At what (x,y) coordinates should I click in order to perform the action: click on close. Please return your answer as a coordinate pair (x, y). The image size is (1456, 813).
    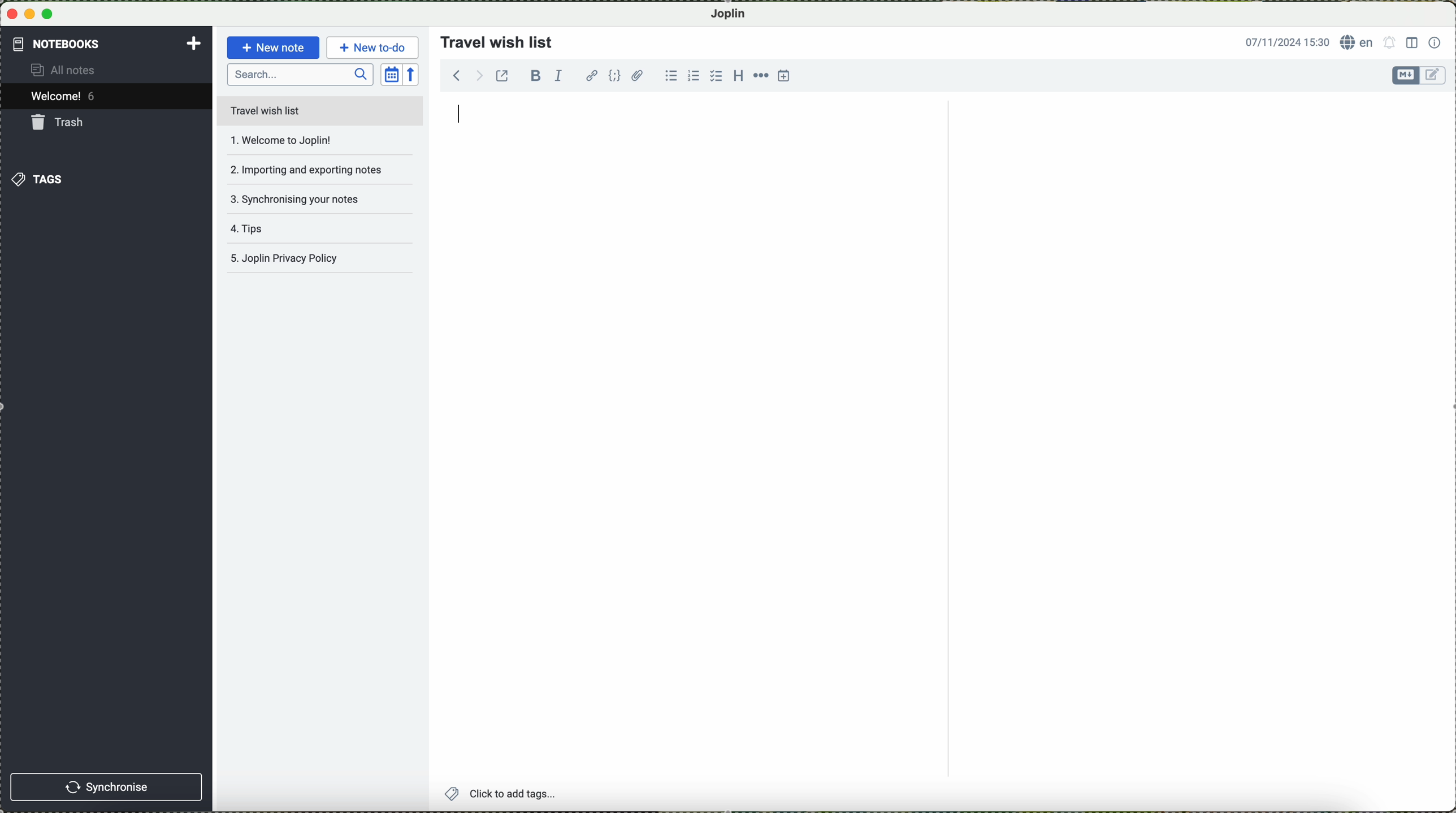
    Looking at the image, I should click on (11, 15).